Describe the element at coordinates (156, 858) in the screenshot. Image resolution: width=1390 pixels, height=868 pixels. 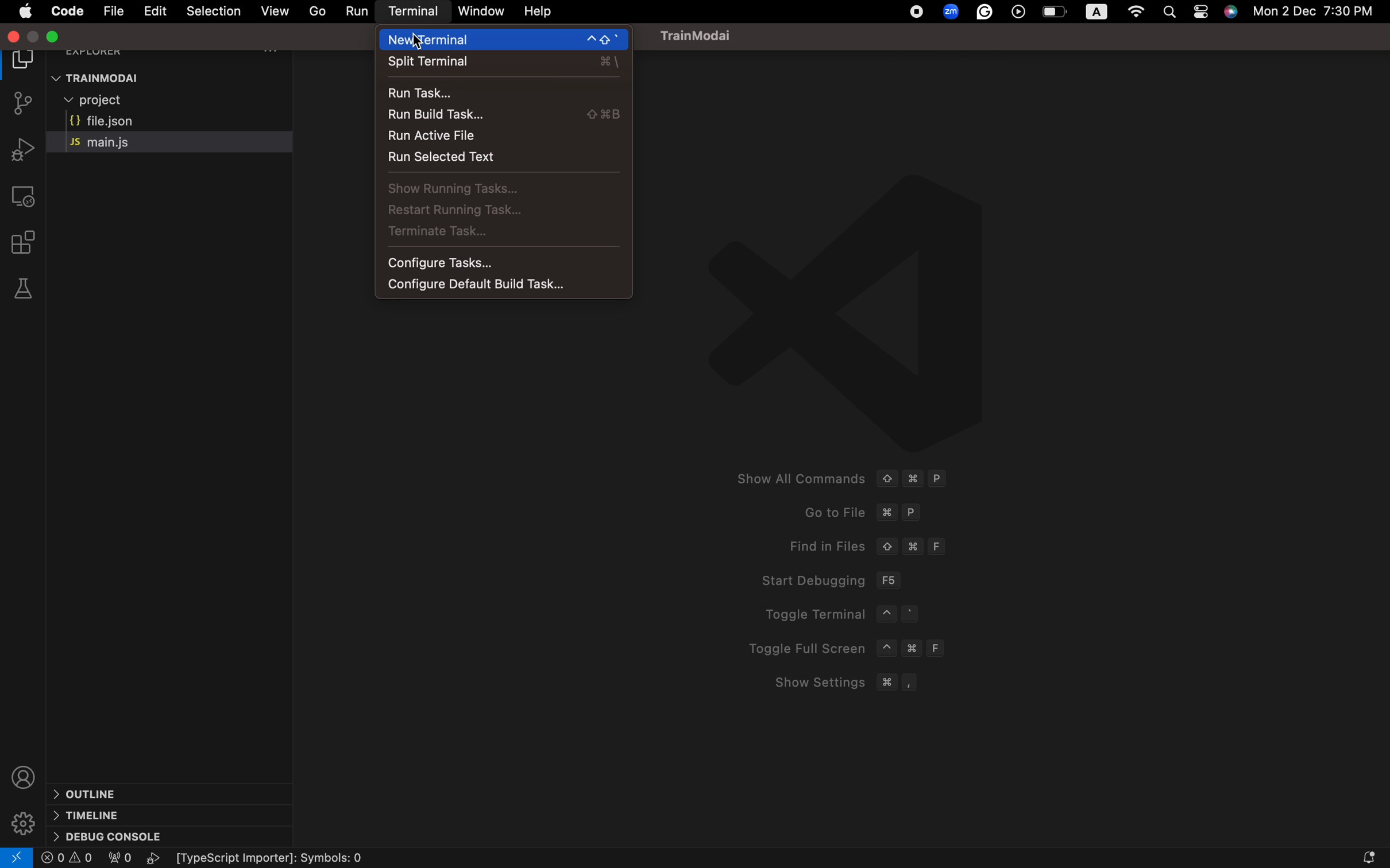
I see `play` at that location.